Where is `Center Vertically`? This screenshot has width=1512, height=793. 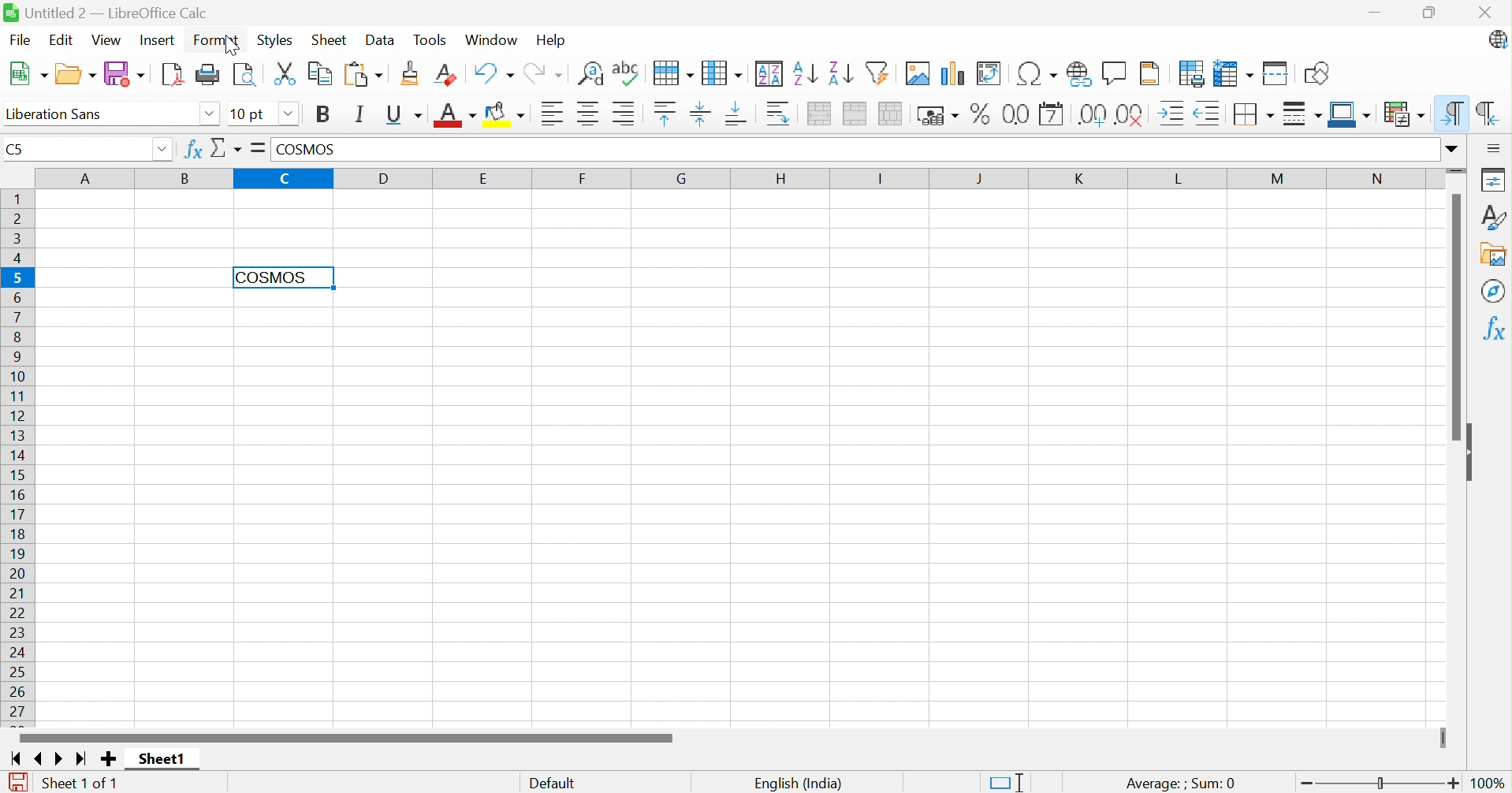
Center Vertically is located at coordinates (705, 116).